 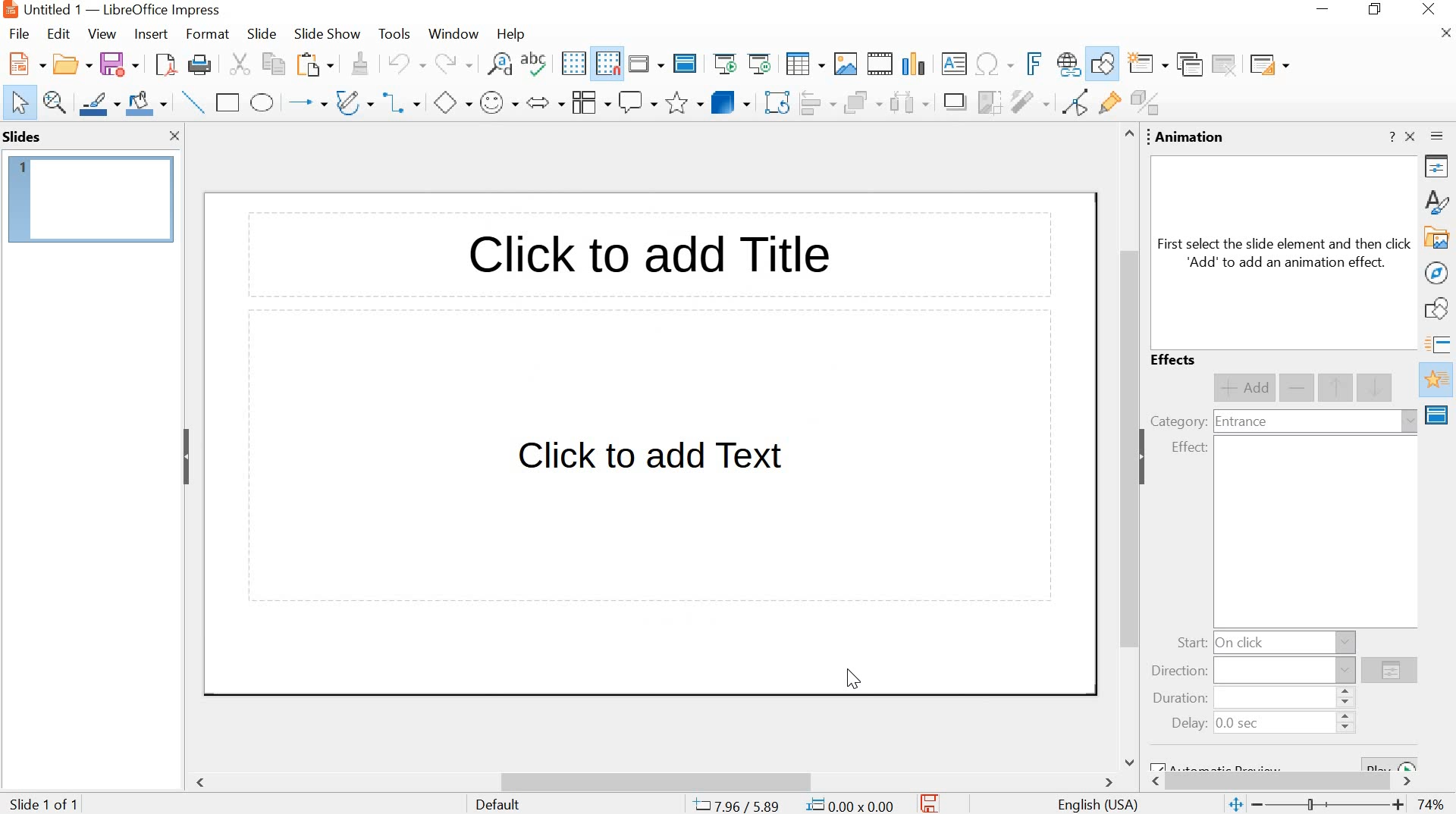 What do you see at coordinates (917, 63) in the screenshot?
I see `insert chart` at bounding box center [917, 63].